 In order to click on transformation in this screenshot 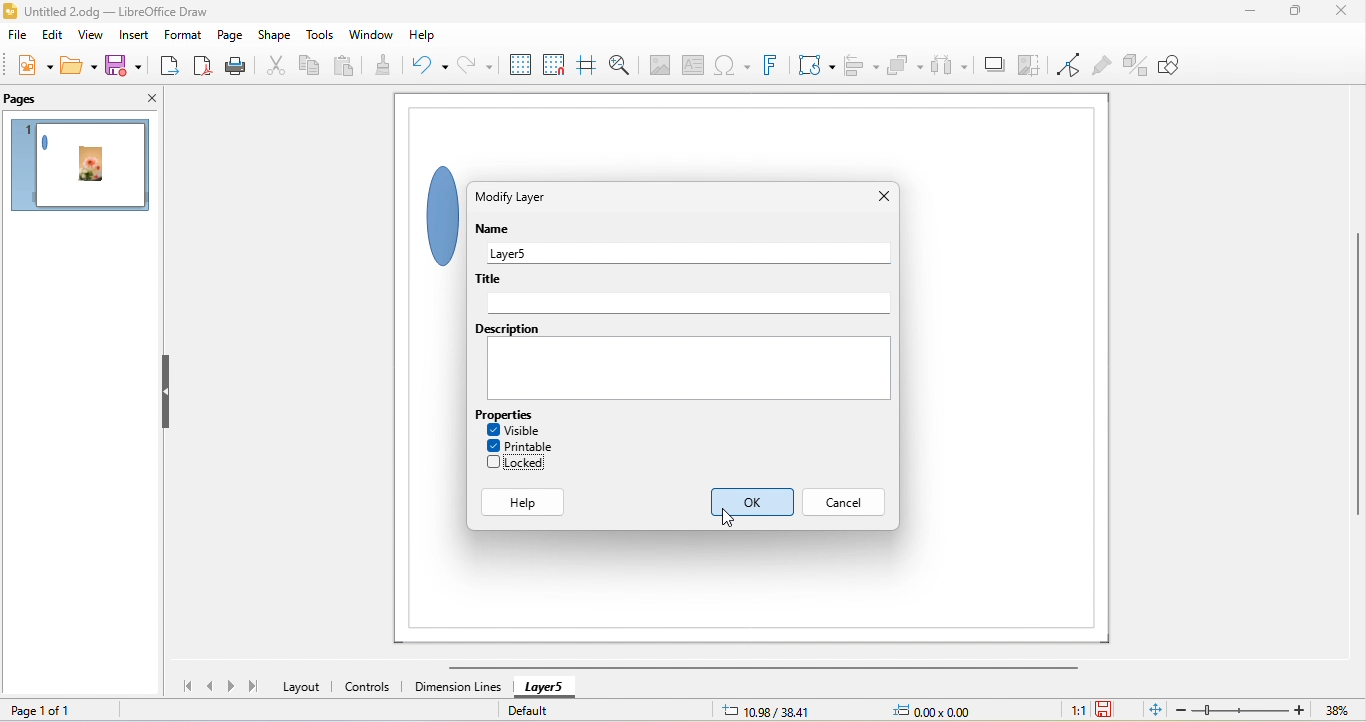, I will do `click(817, 65)`.